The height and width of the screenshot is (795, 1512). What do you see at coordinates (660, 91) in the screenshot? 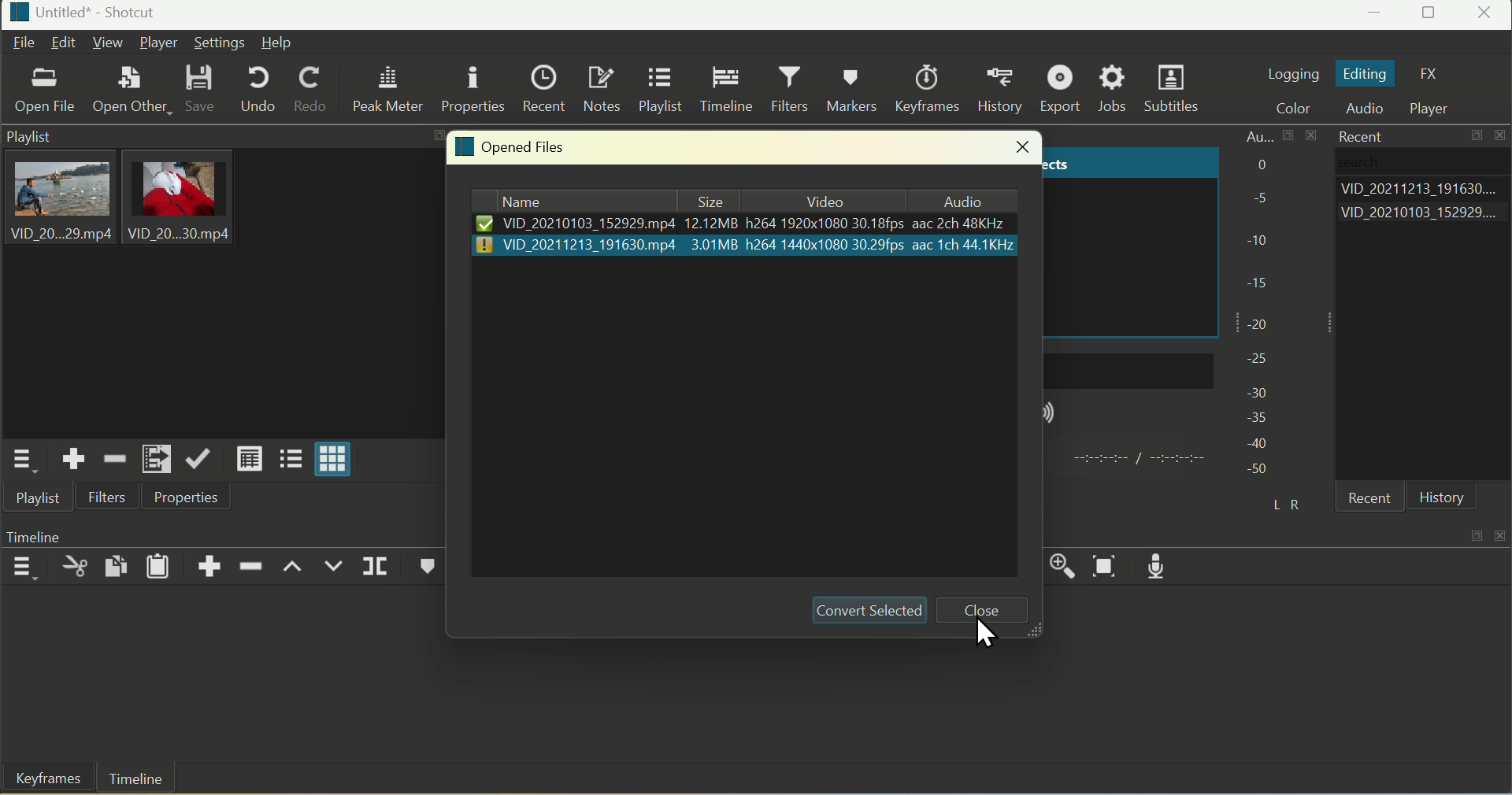
I see `Playlist` at bounding box center [660, 91].